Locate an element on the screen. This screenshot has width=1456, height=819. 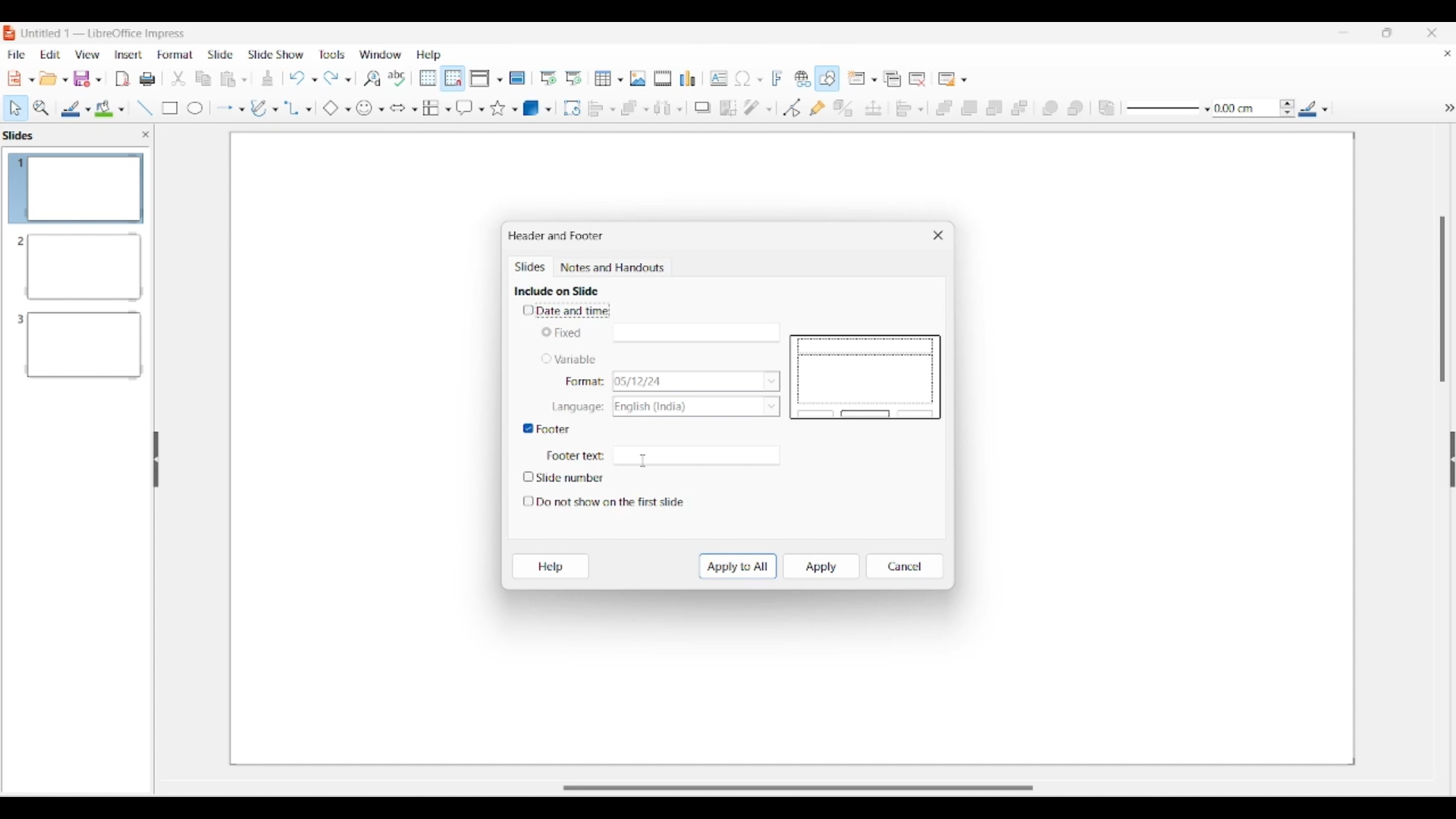
Toggle for footer is located at coordinates (547, 429).